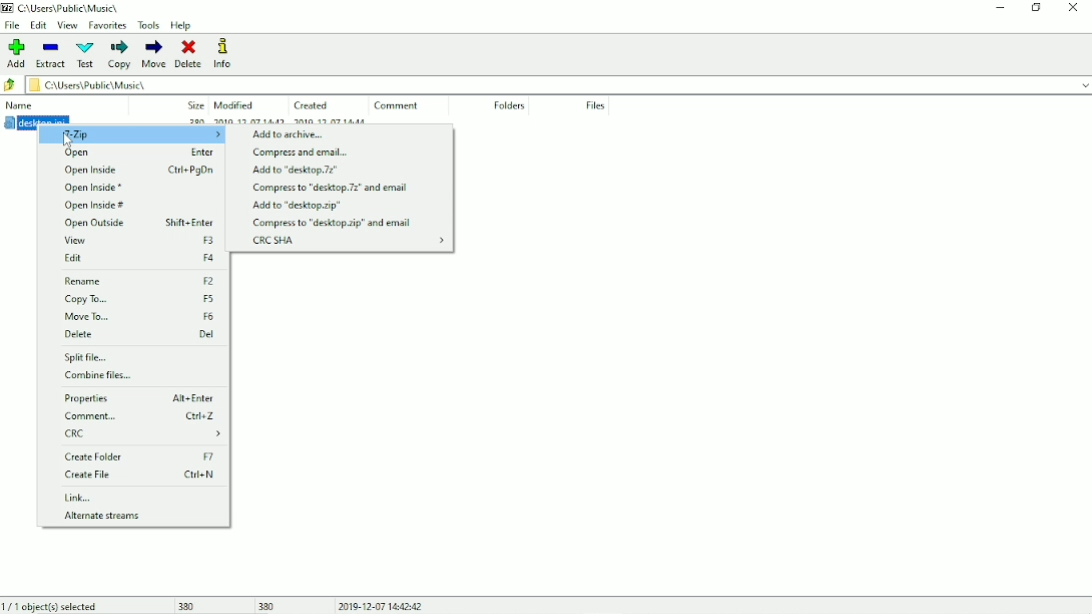 Image resolution: width=1092 pixels, height=614 pixels. What do you see at coordinates (297, 206) in the screenshot?
I see `Add to "desktop.zip"` at bounding box center [297, 206].